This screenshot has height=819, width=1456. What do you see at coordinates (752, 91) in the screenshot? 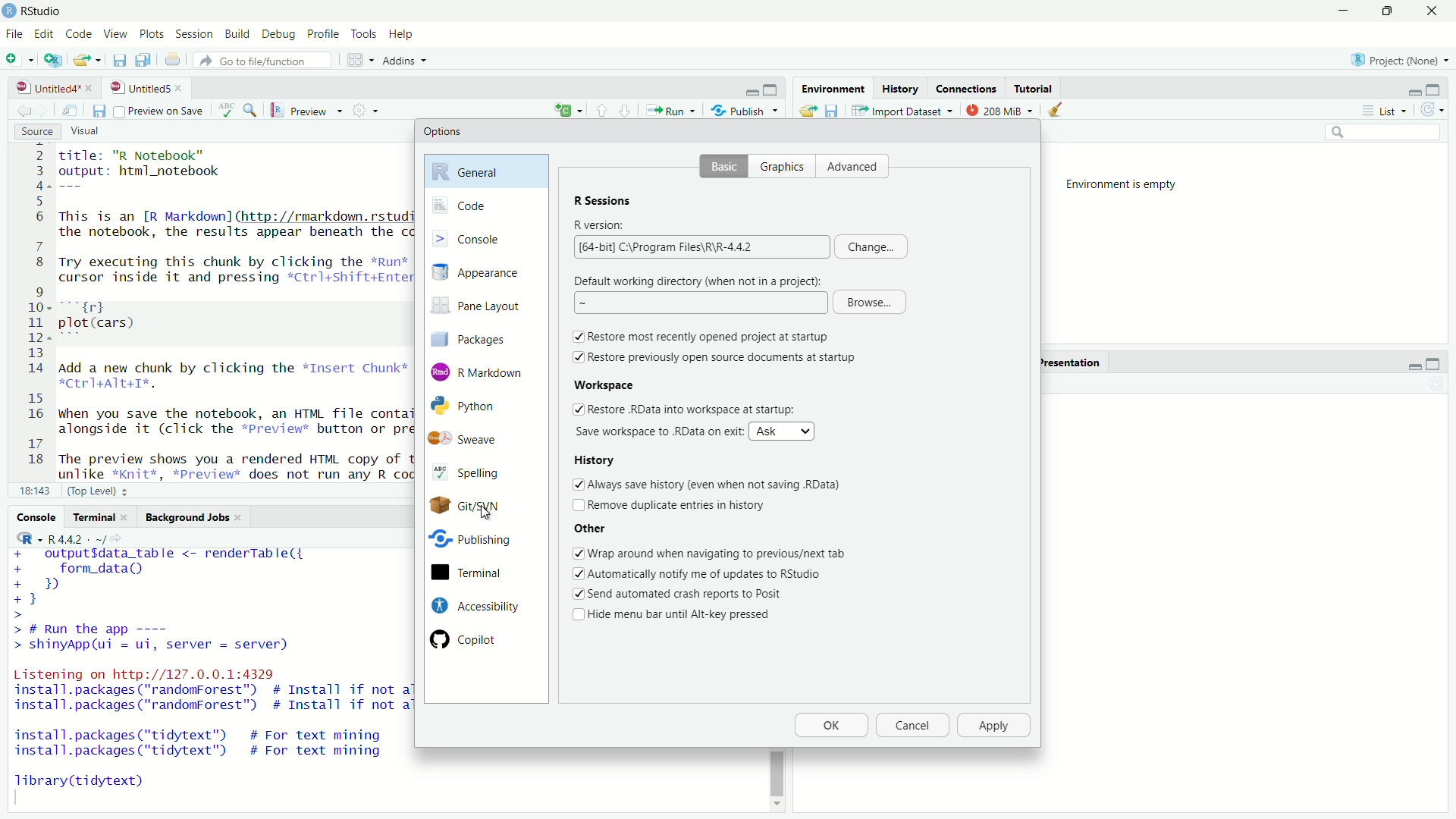
I see `minimize` at bounding box center [752, 91].